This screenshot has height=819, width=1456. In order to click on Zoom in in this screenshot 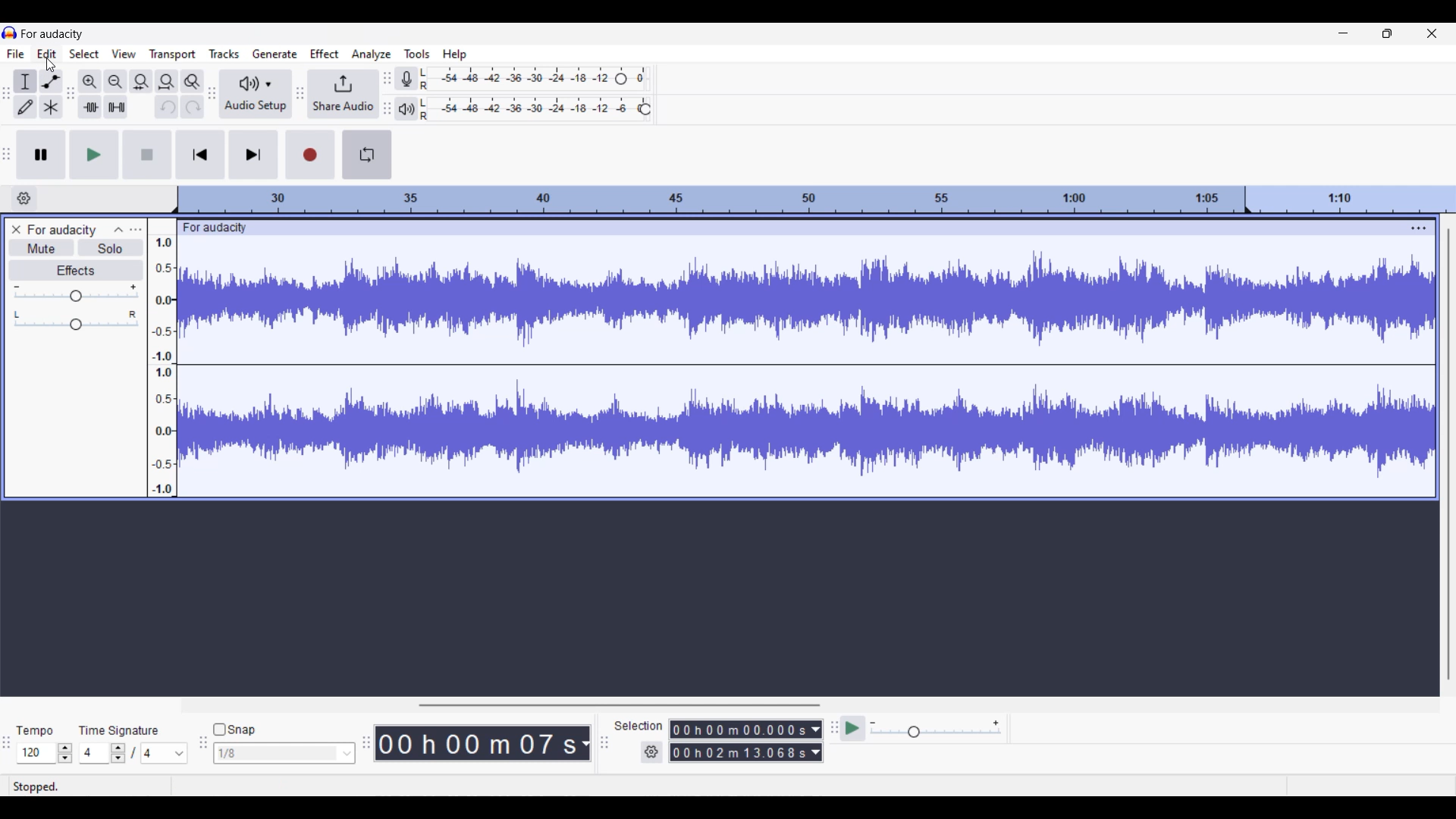, I will do `click(90, 82)`.